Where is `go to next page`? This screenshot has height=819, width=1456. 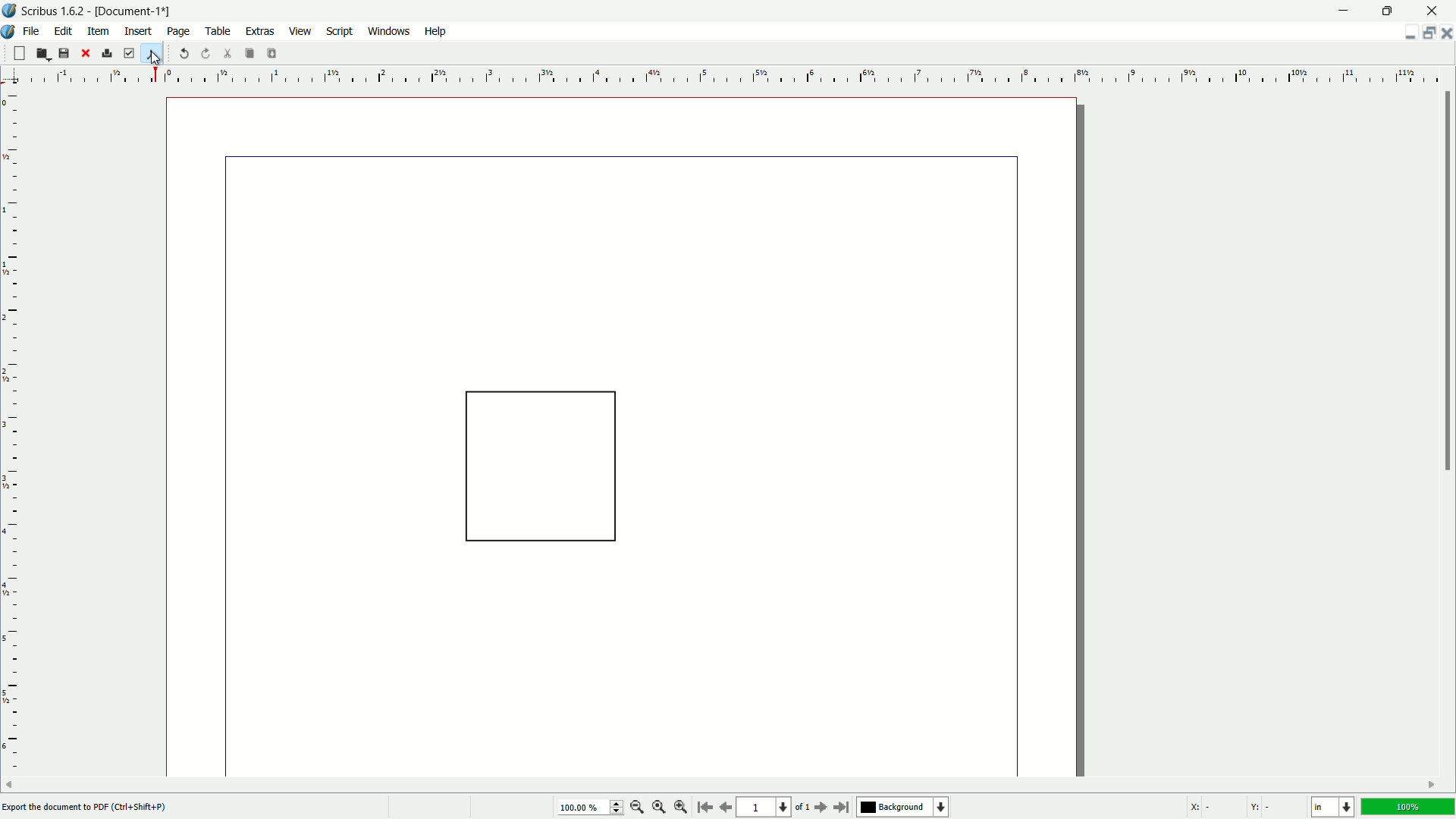
go to next page is located at coordinates (821, 808).